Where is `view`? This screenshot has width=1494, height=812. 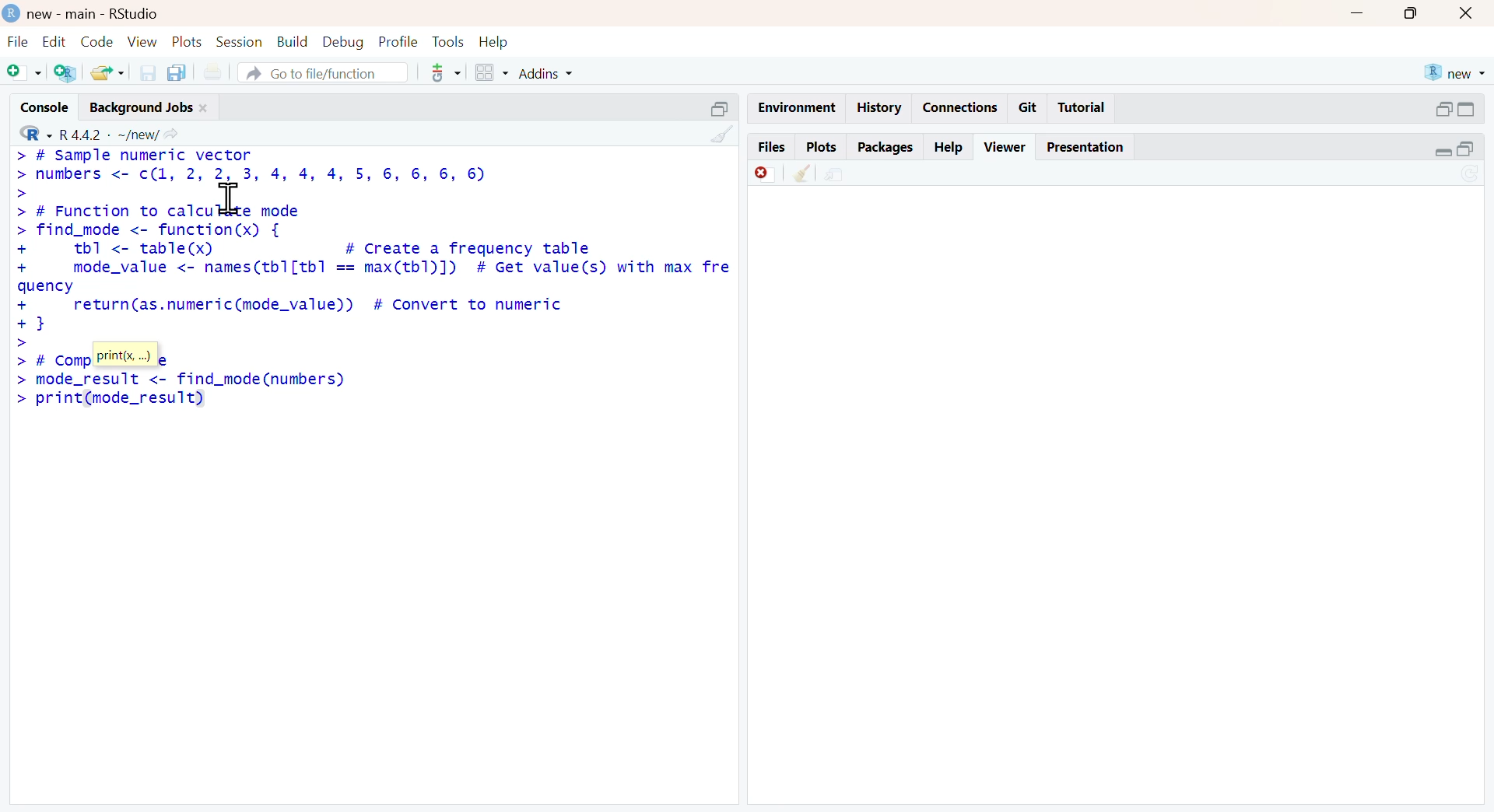
view is located at coordinates (143, 40).